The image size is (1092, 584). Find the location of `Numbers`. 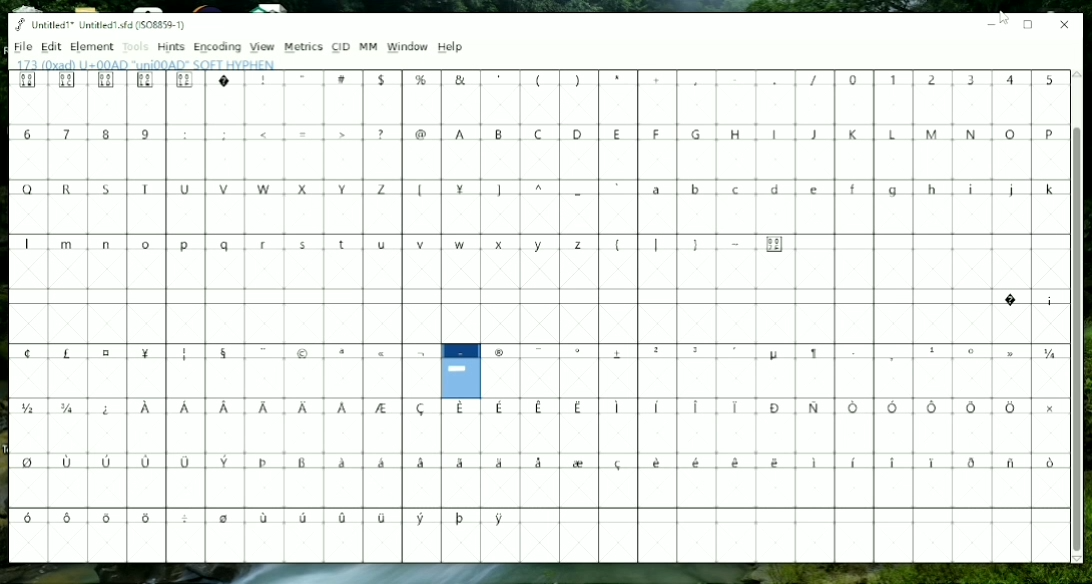

Numbers is located at coordinates (90, 134).